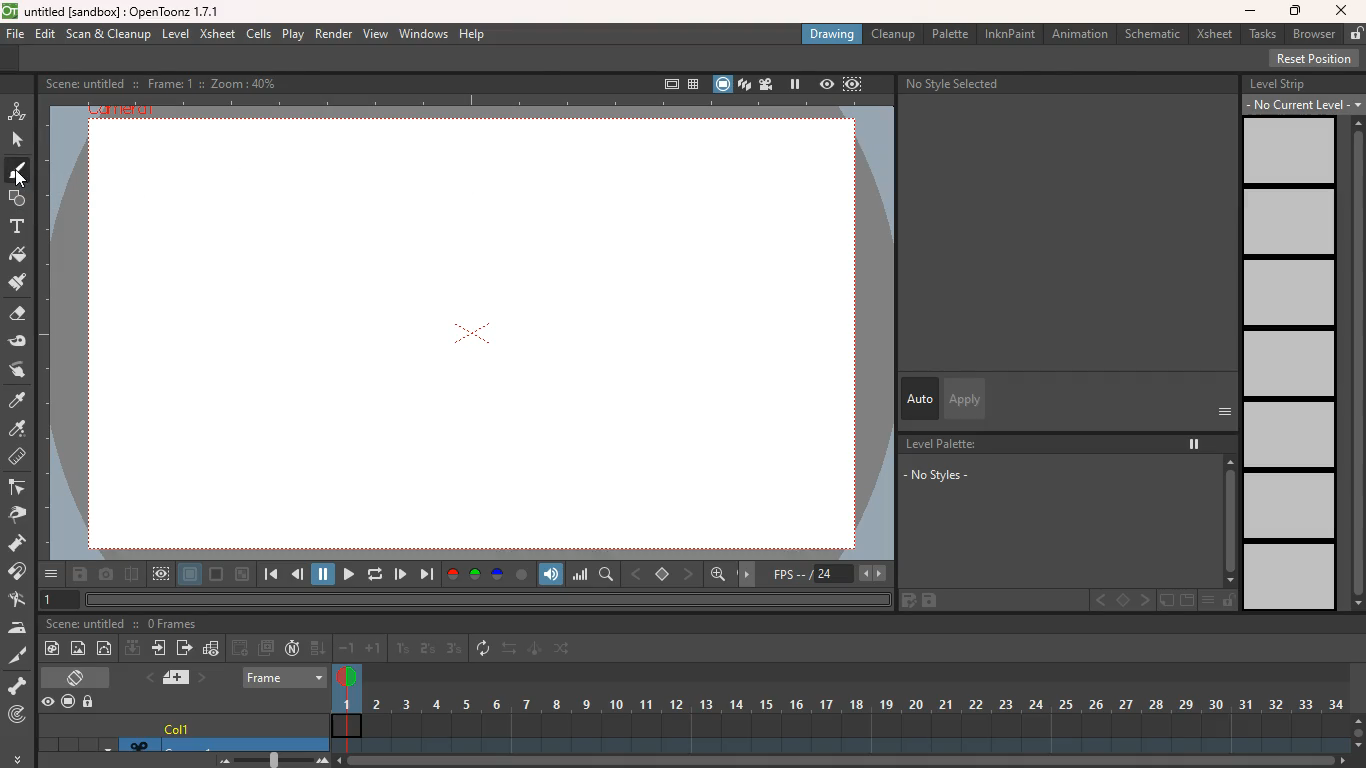 The height and width of the screenshot is (768, 1366). What do you see at coordinates (1099, 600) in the screenshot?
I see `back` at bounding box center [1099, 600].